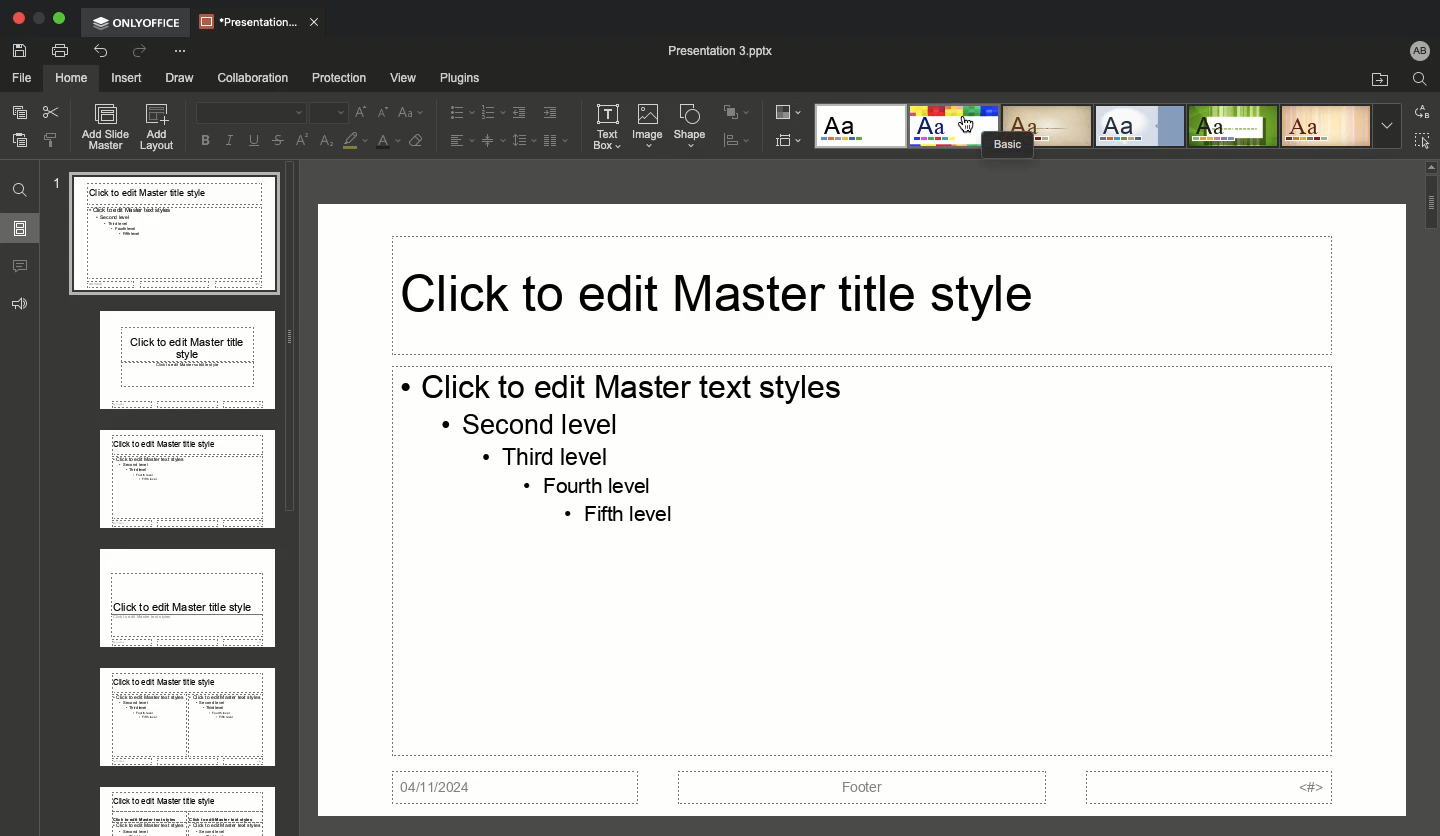 The width and height of the screenshot is (1440, 836). Describe the element at coordinates (790, 141) in the screenshot. I see `Select slide size` at that location.